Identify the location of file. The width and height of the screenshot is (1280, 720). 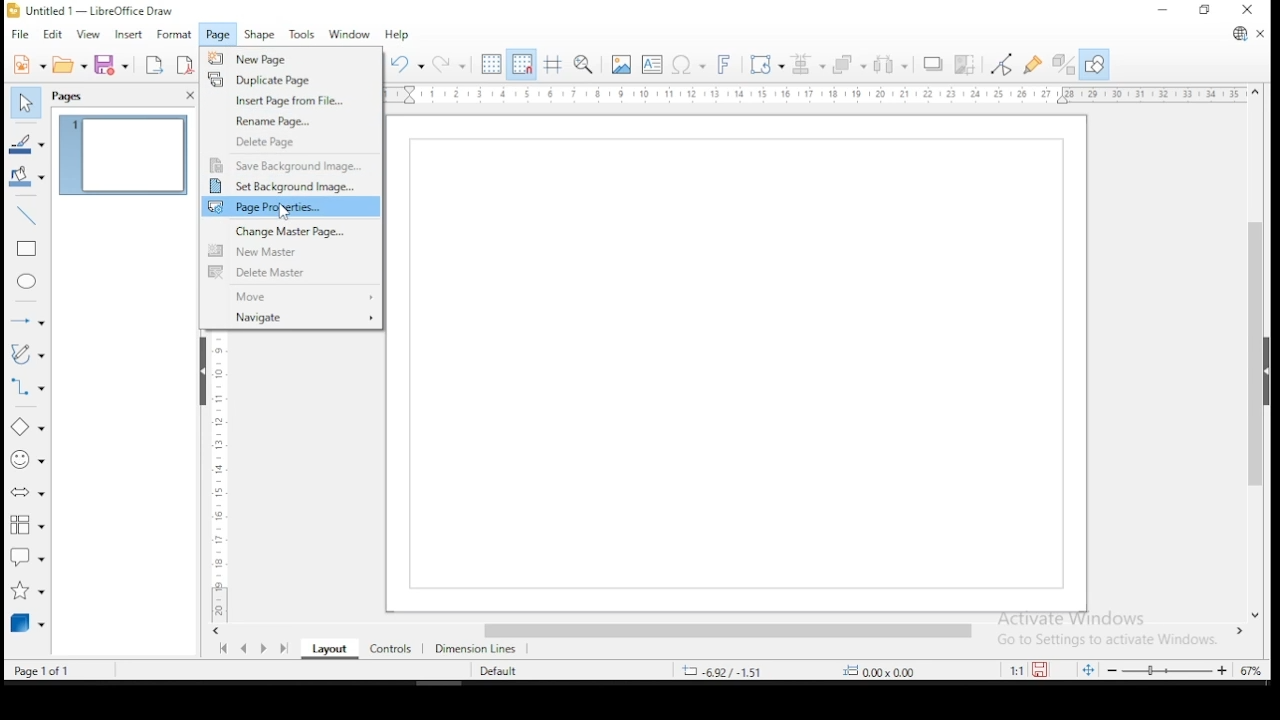
(19, 35).